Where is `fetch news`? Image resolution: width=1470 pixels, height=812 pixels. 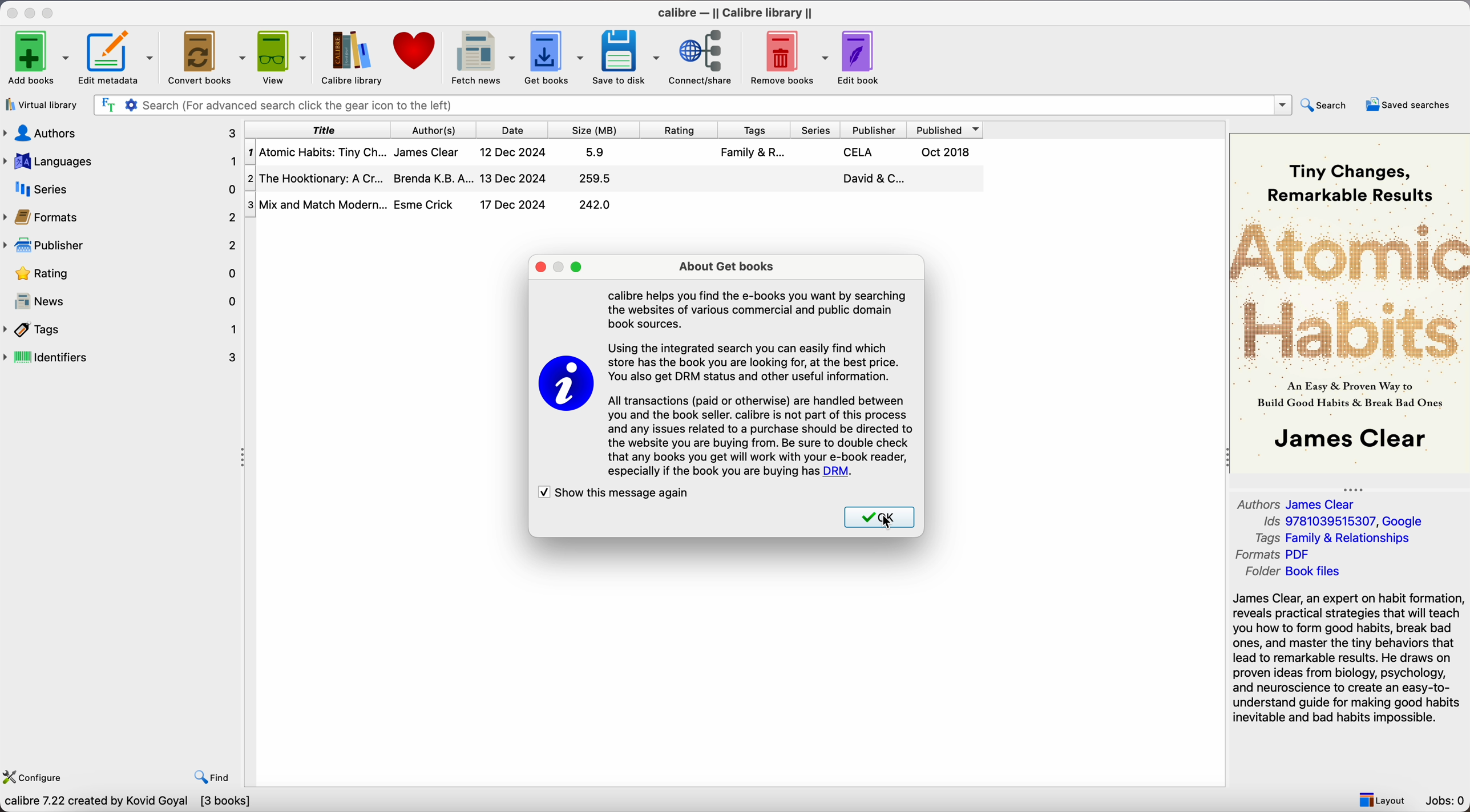
fetch news is located at coordinates (479, 56).